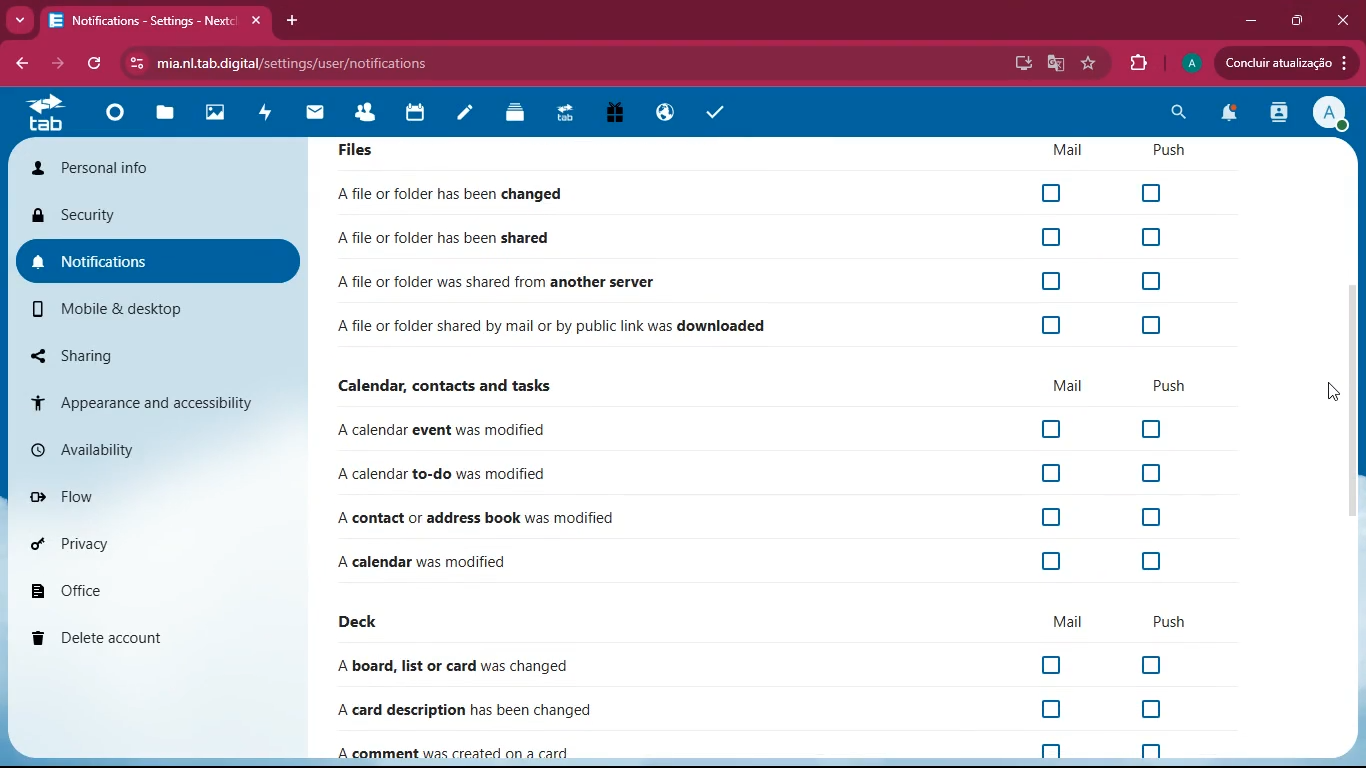 This screenshot has width=1366, height=768. I want to click on Checkbox, so click(1157, 235).